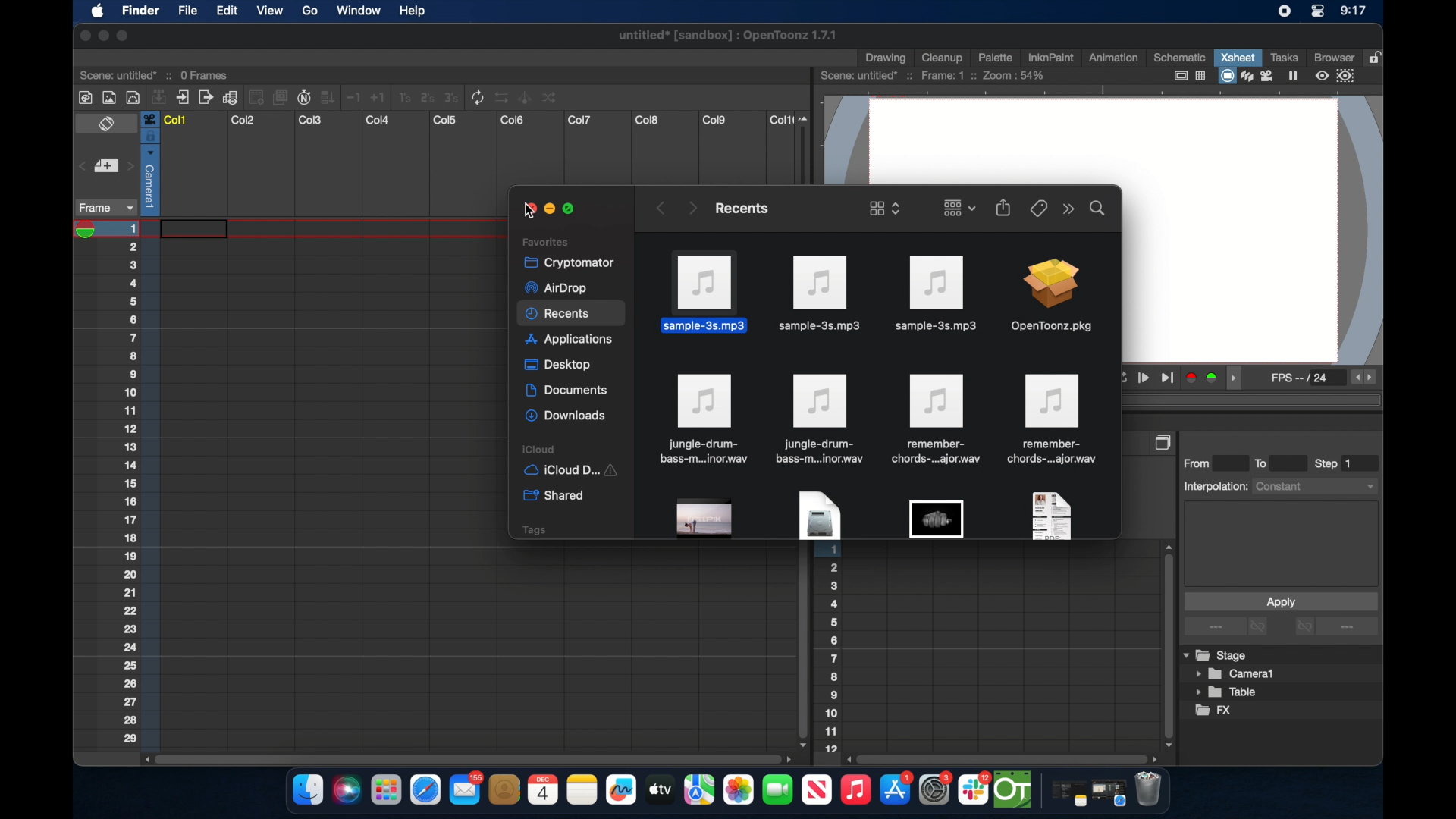 The width and height of the screenshot is (1456, 819). Describe the element at coordinates (807, 147) in the screenshot. I see `slider` at that location.